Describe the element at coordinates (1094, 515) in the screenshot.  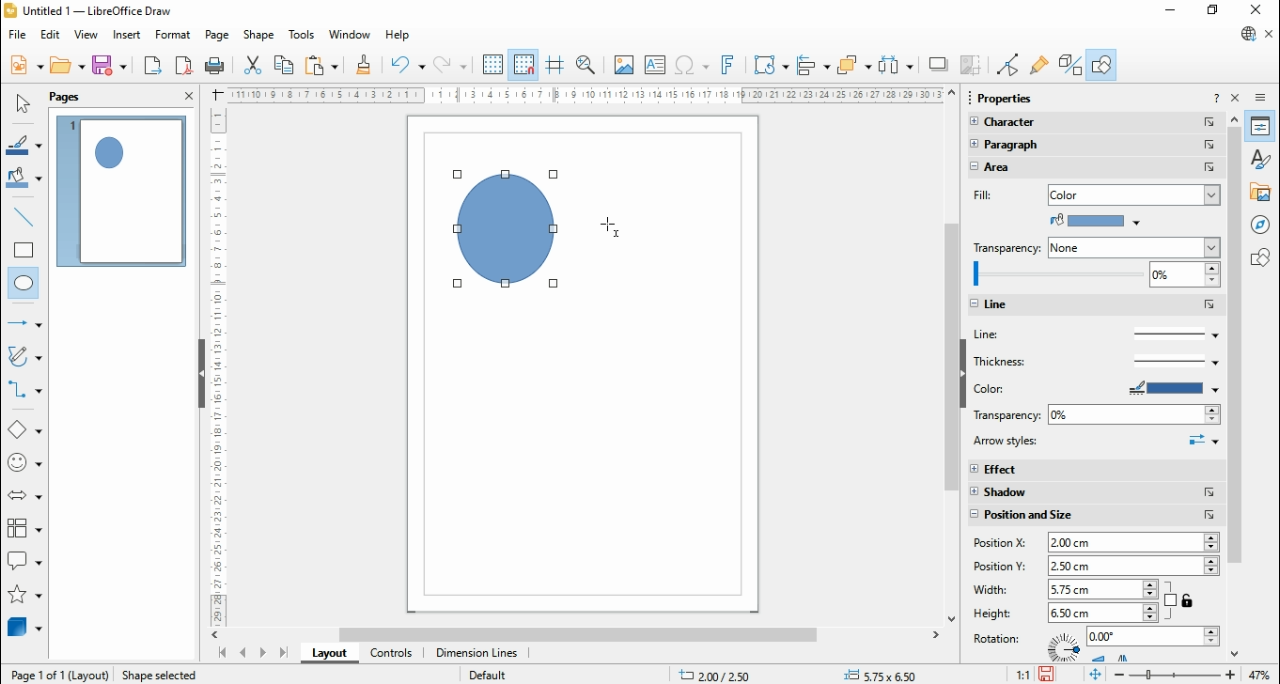
I see `position and size` at that location.